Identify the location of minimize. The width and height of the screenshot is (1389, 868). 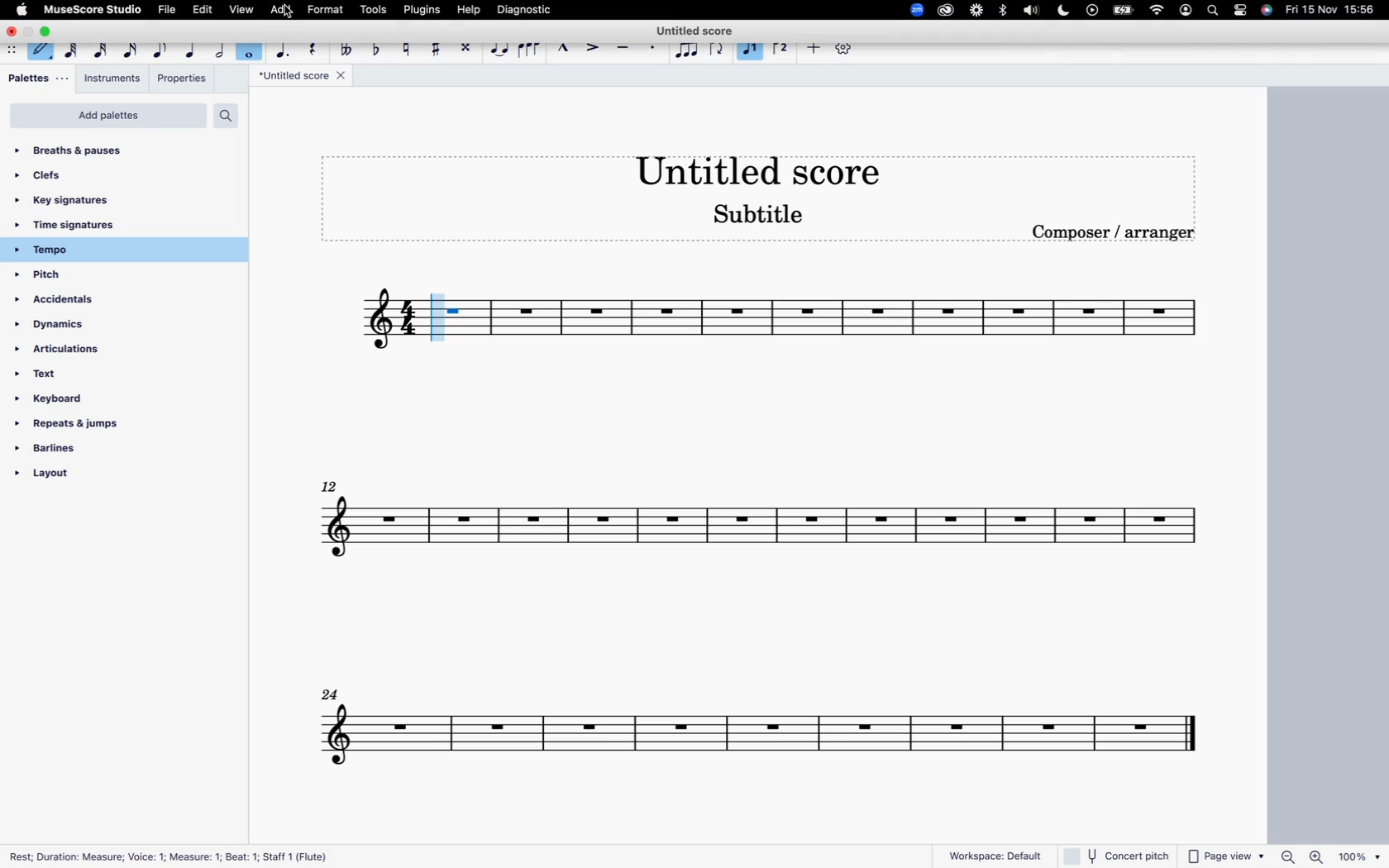
(30, 31).